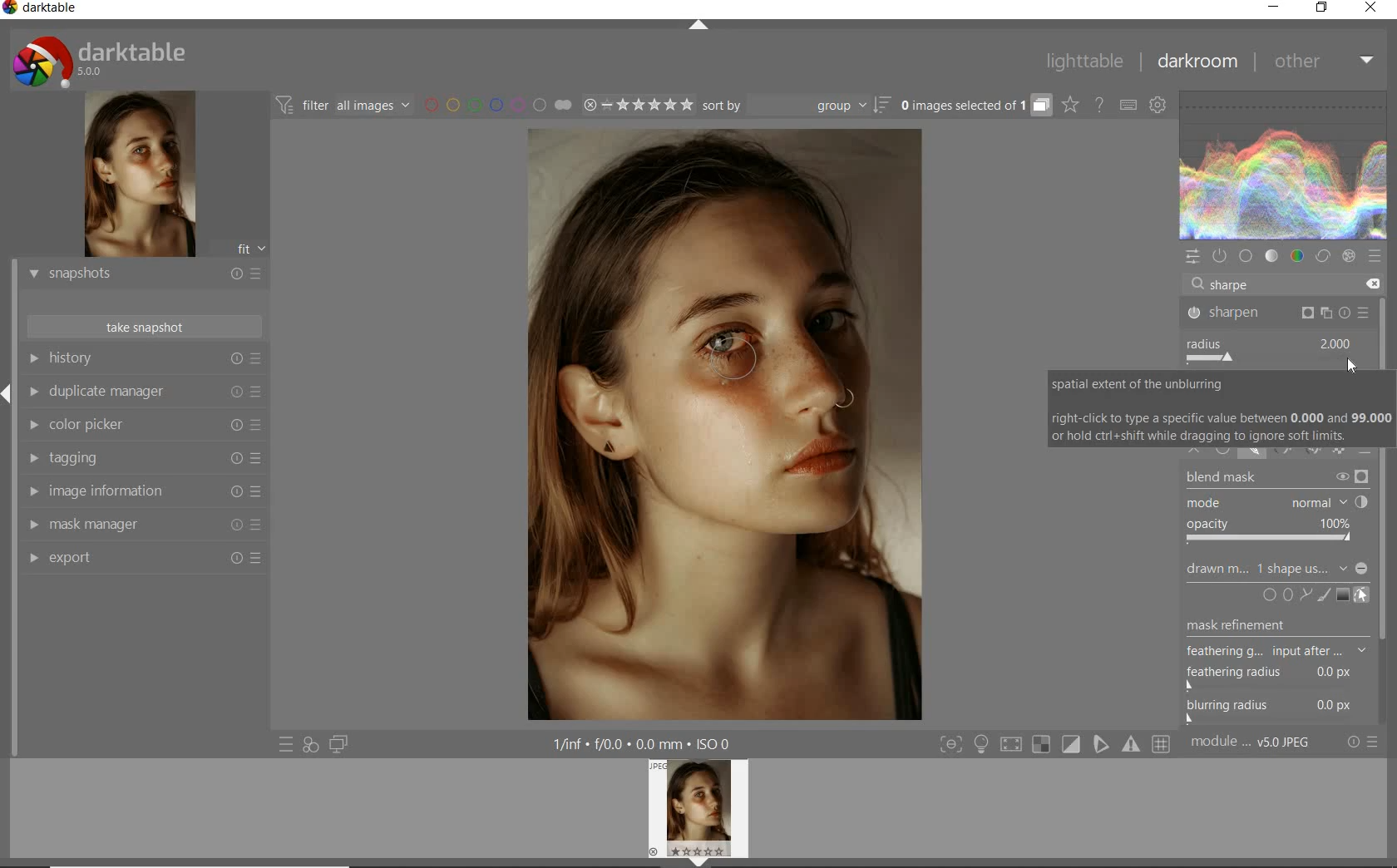 This screenshot has width=1397, height=868. I want to click on SHOW & EDIT MASK ELEMENTS, so click(1363, 595).